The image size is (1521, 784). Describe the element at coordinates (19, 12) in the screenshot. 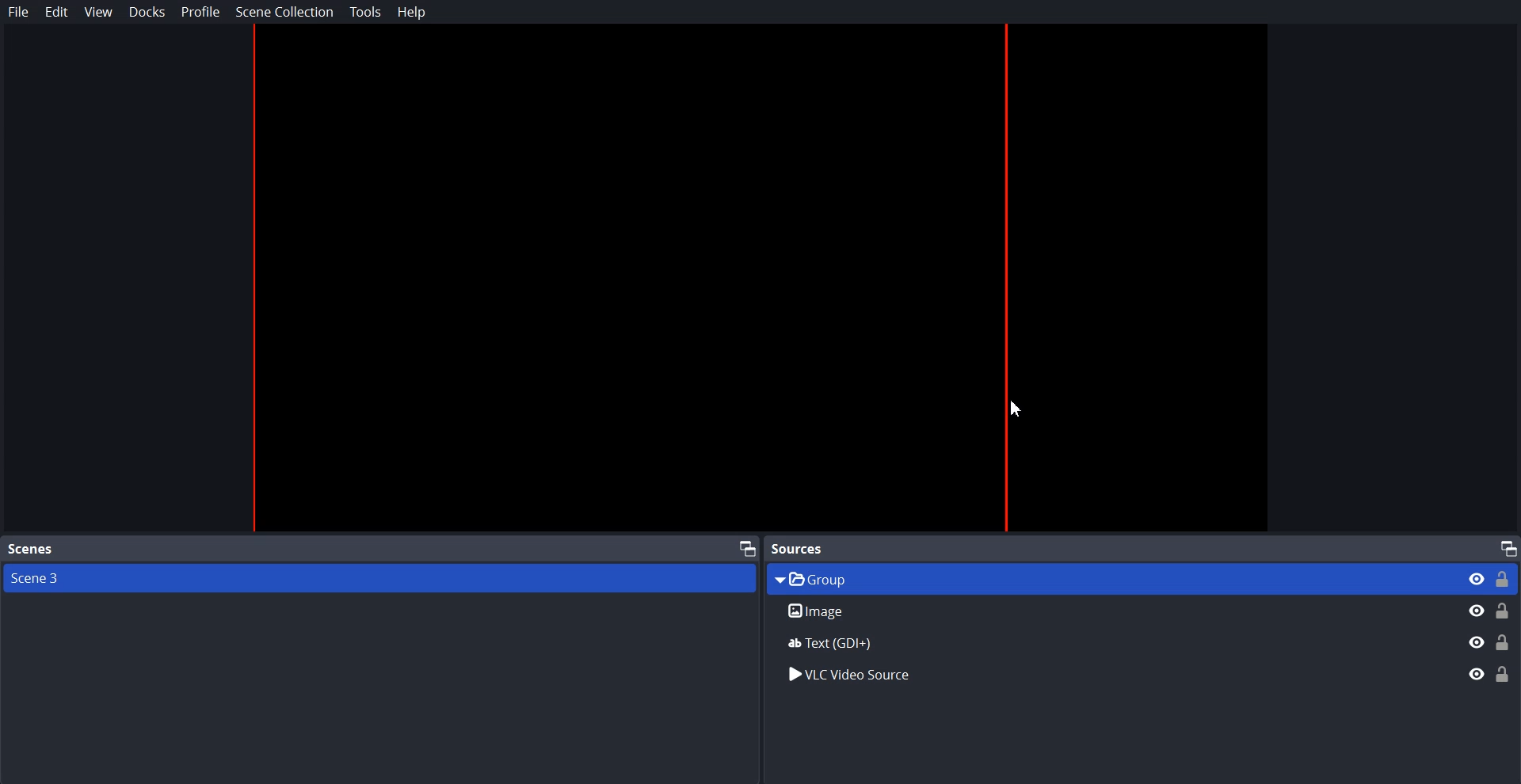

I see `File` at that location.